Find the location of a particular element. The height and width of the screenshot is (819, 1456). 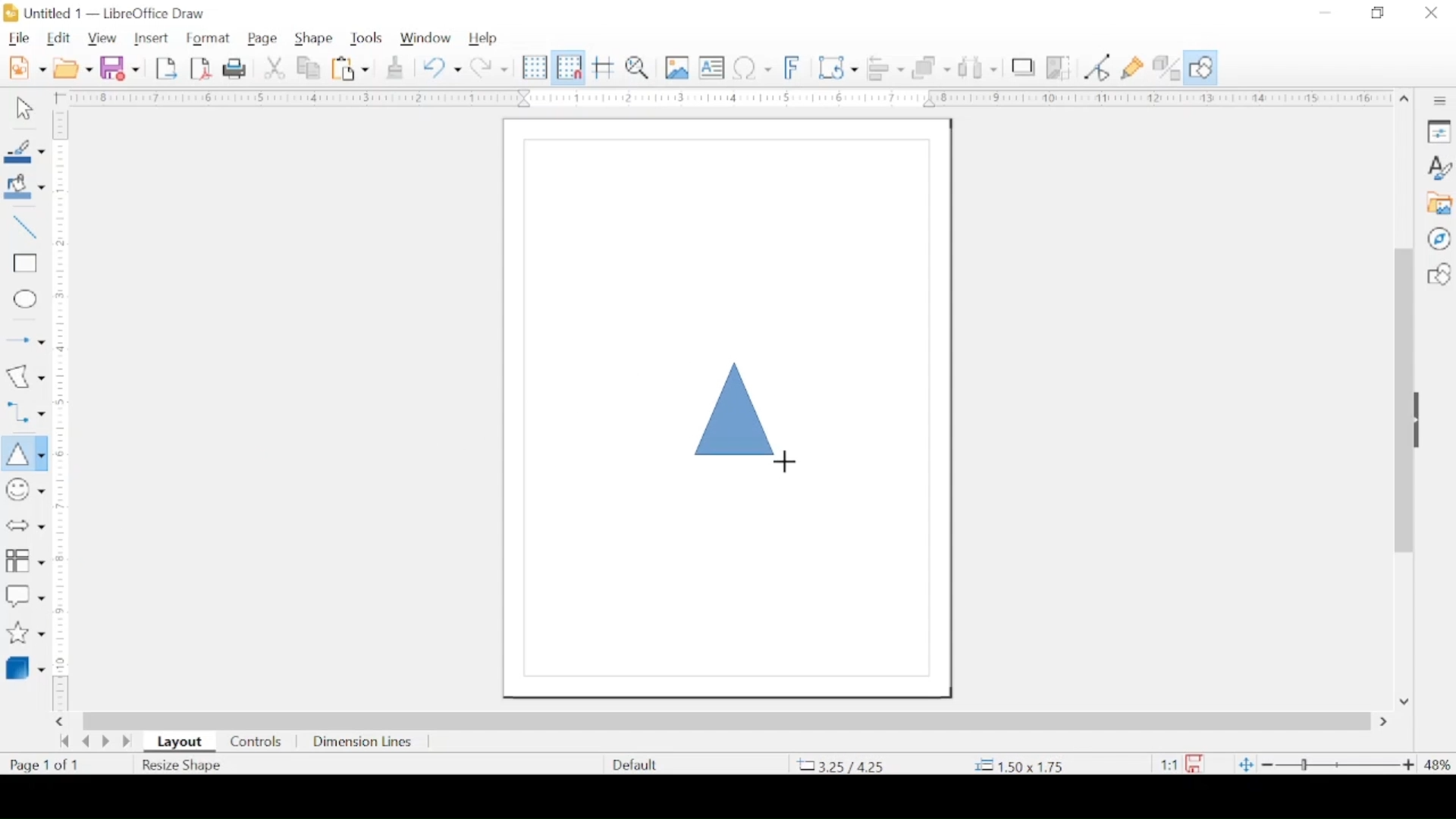

untitled 1 - libreoffice draw is located at coordinates (110, 13).